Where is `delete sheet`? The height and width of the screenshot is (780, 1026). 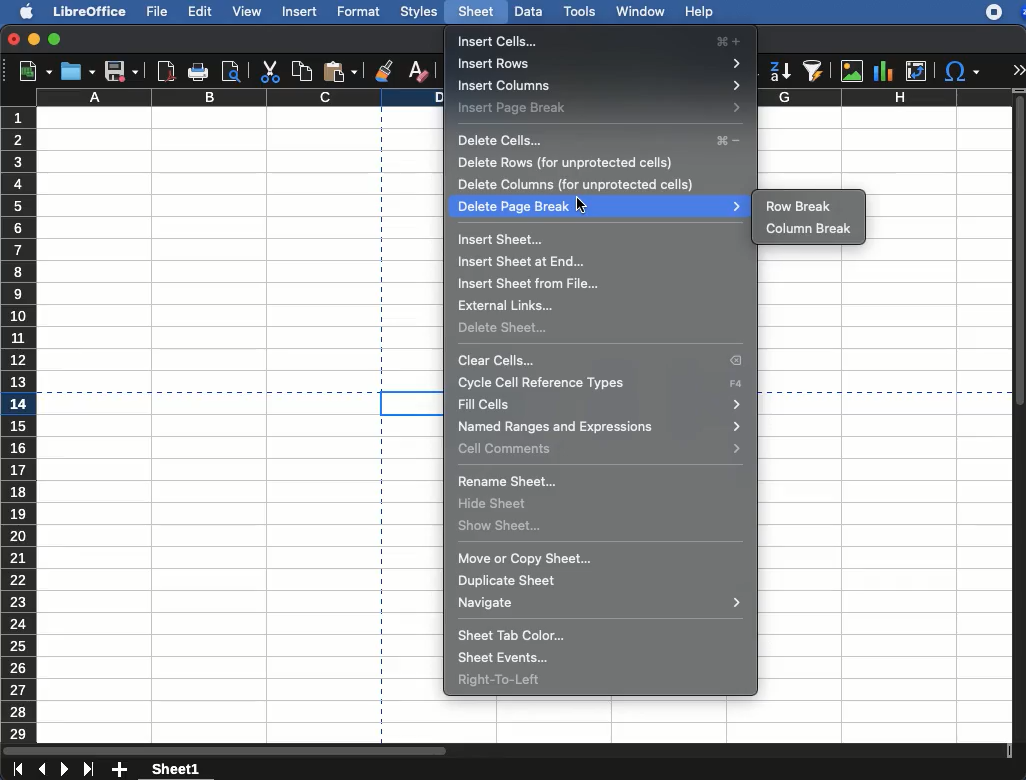
delete sheet is located at coordinates (505, 328).